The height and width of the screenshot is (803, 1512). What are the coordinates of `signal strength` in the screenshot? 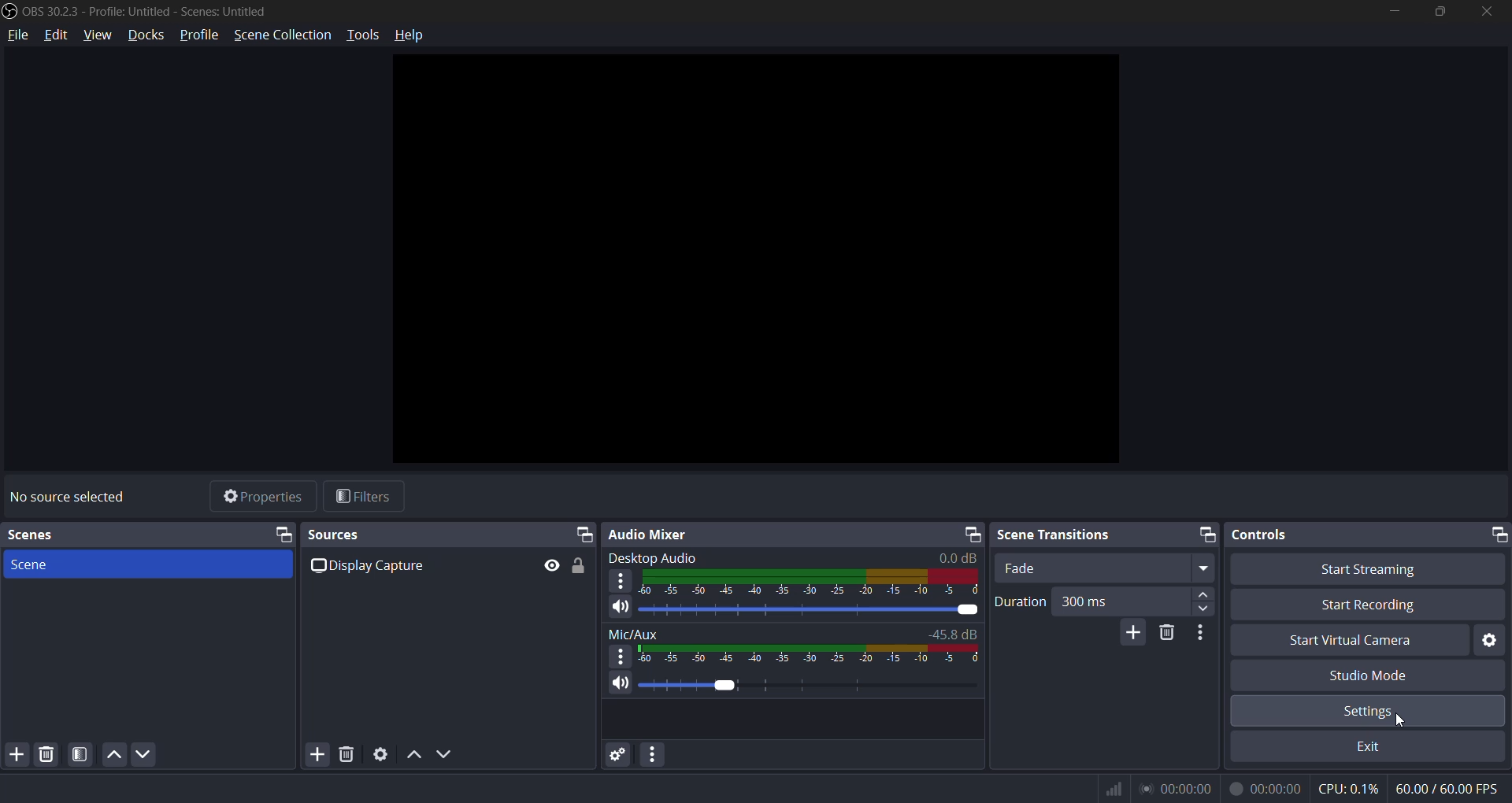 It's located at (1114, 790).